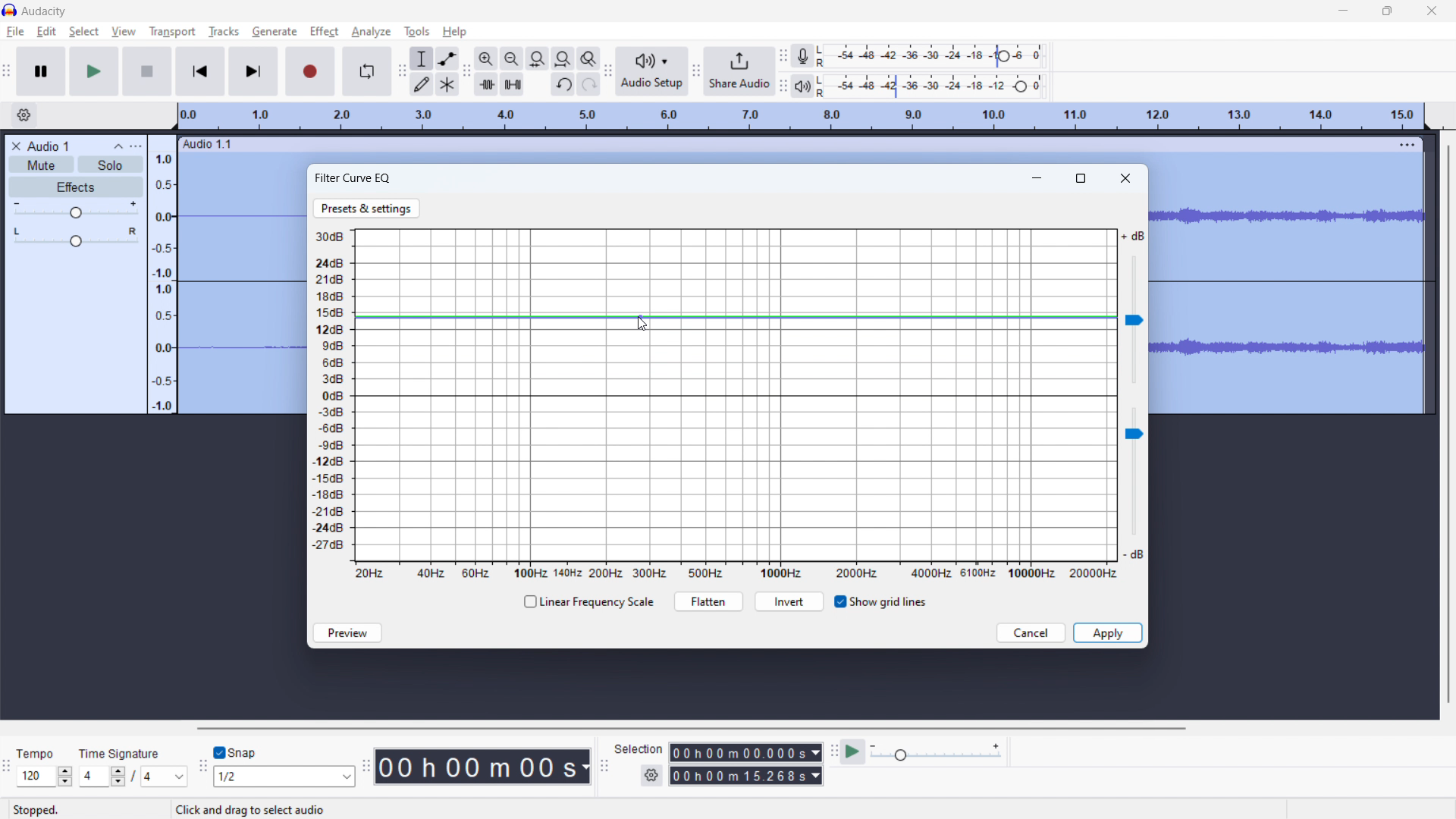 This screenshot has width=1456, height=819. Describe the element at coordinates (447, 83) in the screenshot. I see `multi tool` at that location.